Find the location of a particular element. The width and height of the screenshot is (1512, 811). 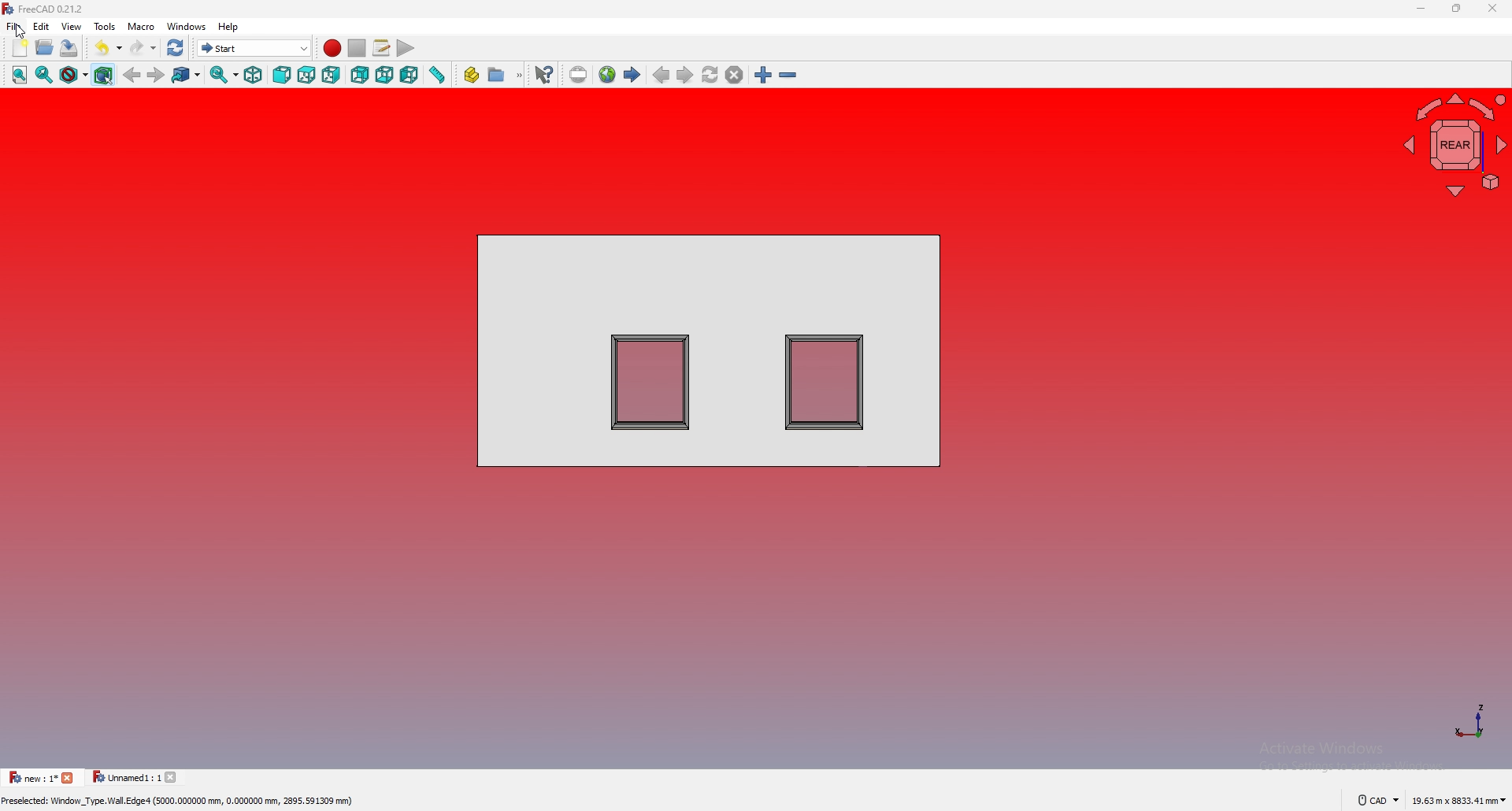

FreeCAD 0.21.2 is located at coordinates (52, 9).